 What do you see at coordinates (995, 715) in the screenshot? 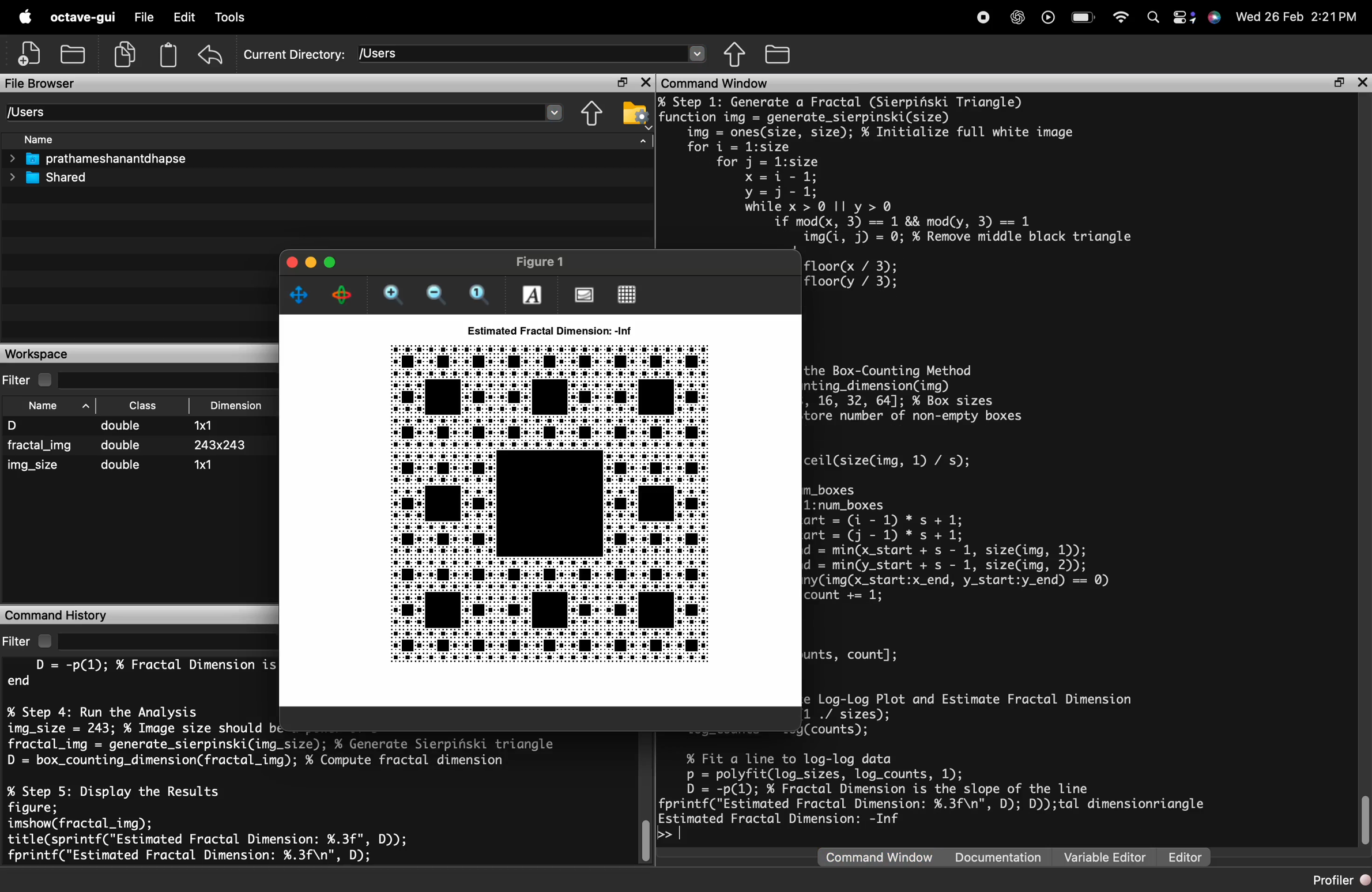
I see `code to get the estimate fractal dimension` at bounding box center [995, 715].